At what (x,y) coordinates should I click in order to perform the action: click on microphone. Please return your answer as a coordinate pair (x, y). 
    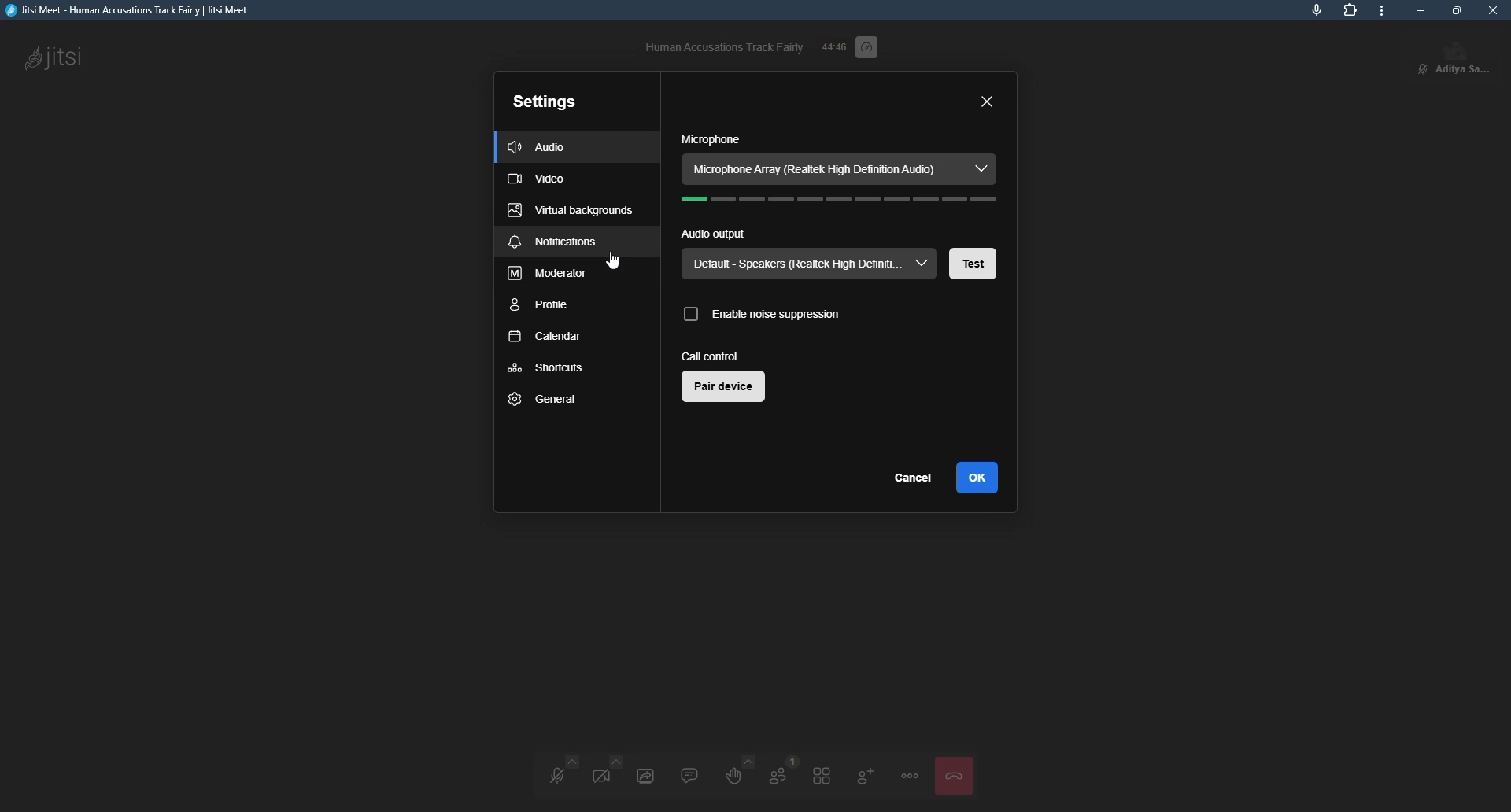
    Looking at the image, I should click on (709, 140).